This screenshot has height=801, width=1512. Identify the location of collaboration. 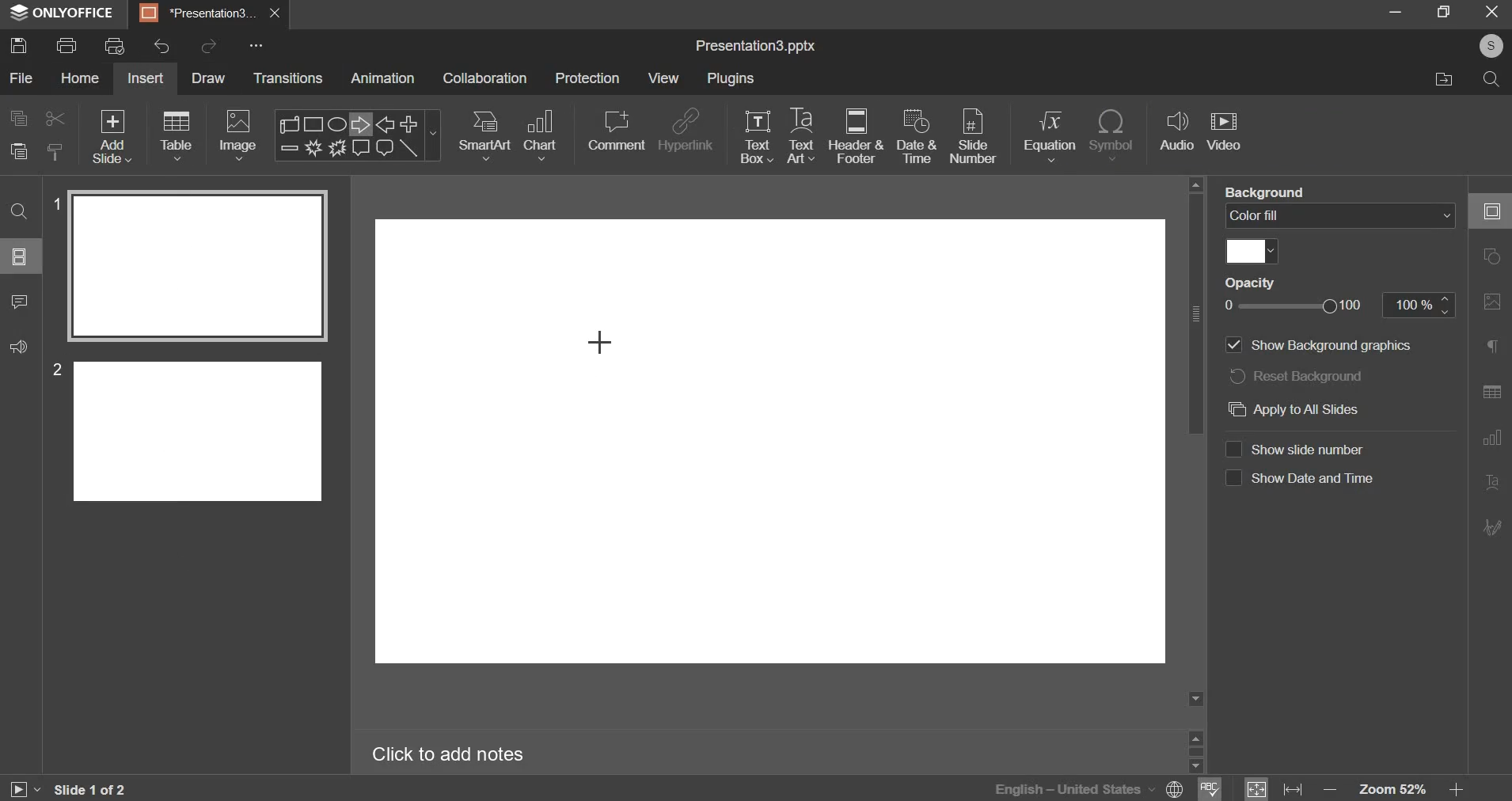
(485, 78).